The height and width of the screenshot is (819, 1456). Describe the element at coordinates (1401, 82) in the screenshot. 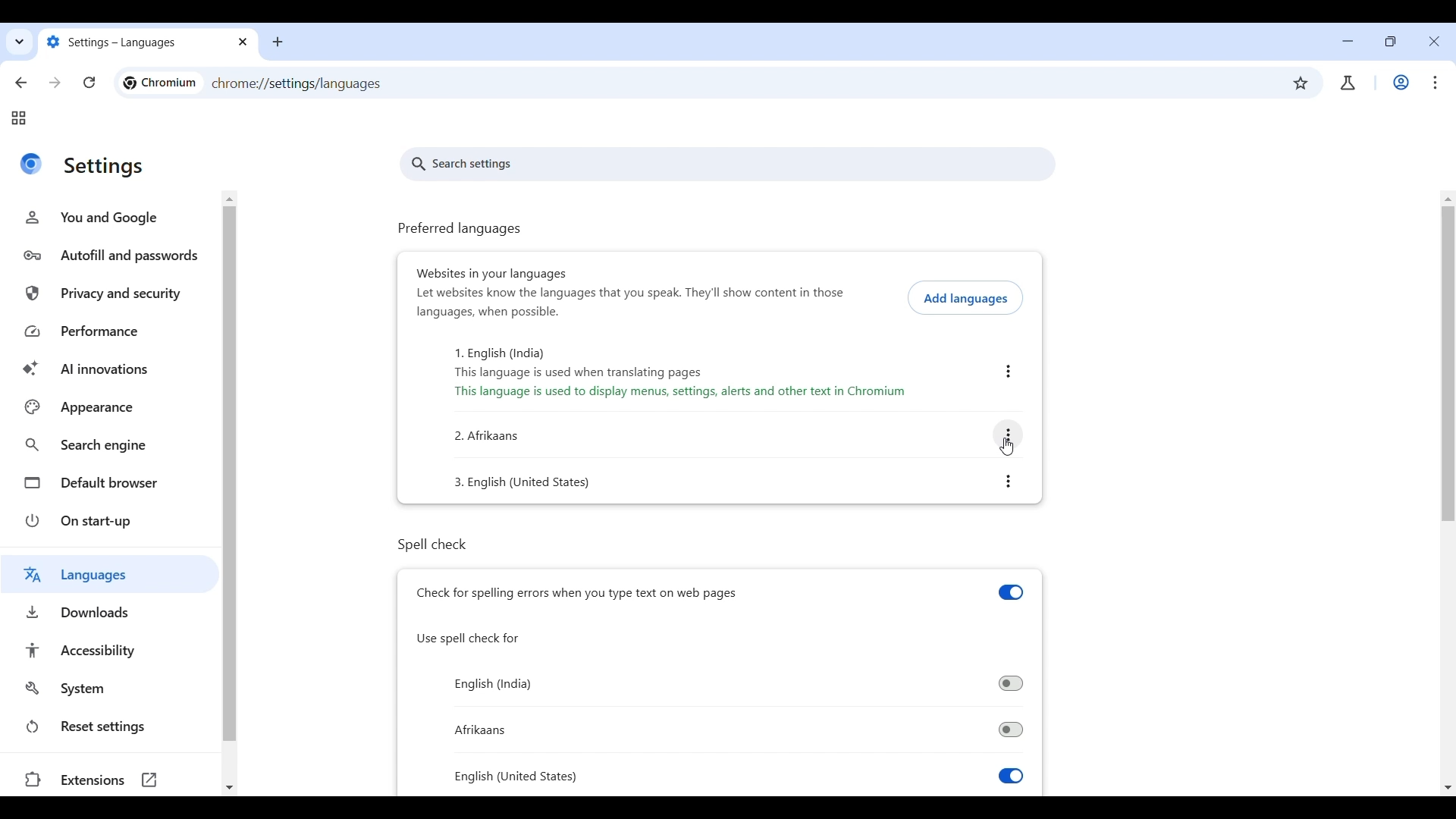

I see `Work` at that location.